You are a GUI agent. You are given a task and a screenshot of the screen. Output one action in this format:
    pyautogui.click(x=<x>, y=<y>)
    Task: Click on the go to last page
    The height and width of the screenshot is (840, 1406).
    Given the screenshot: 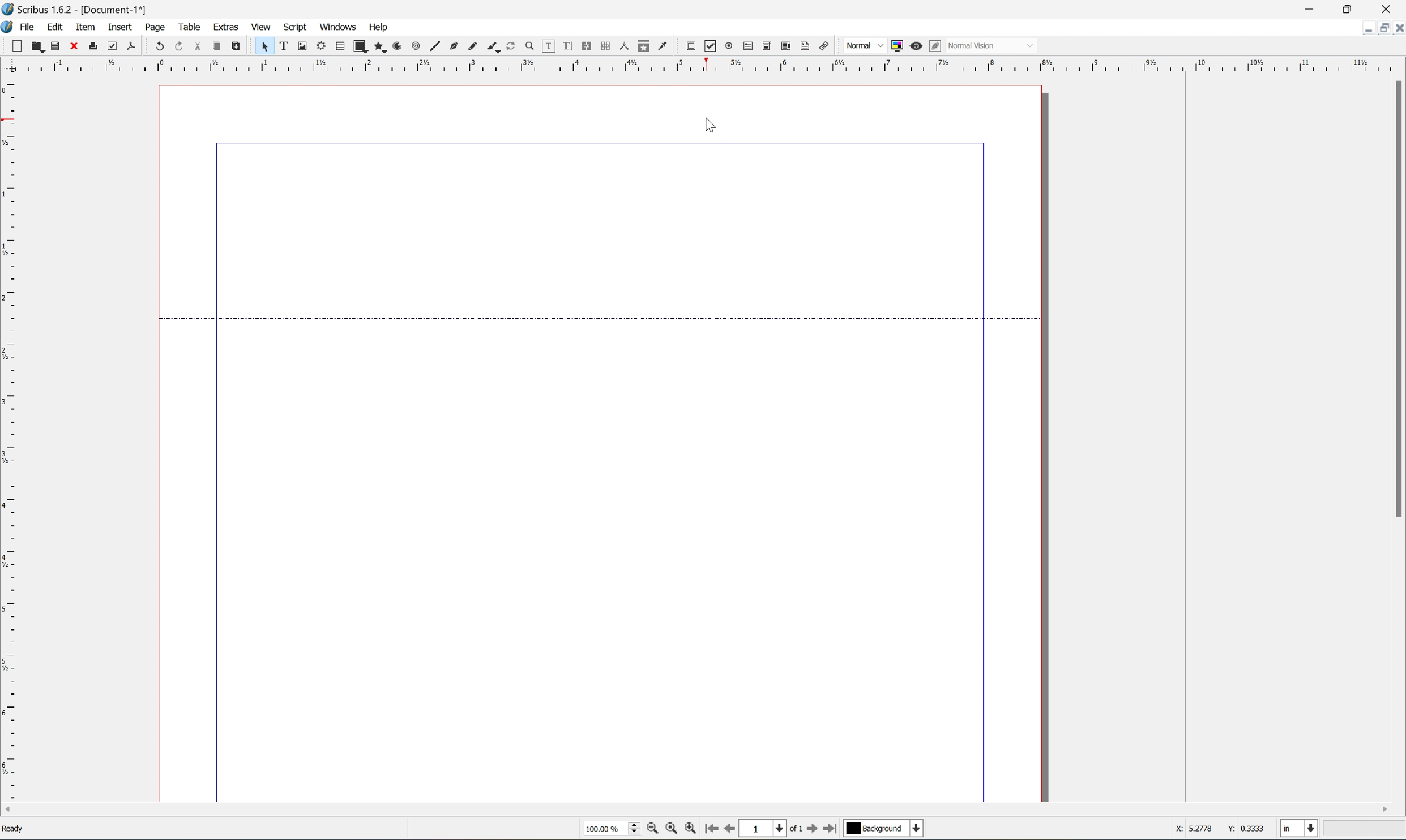 What is the action you would take?
    pyautogui.click(x=832, y=830)
    